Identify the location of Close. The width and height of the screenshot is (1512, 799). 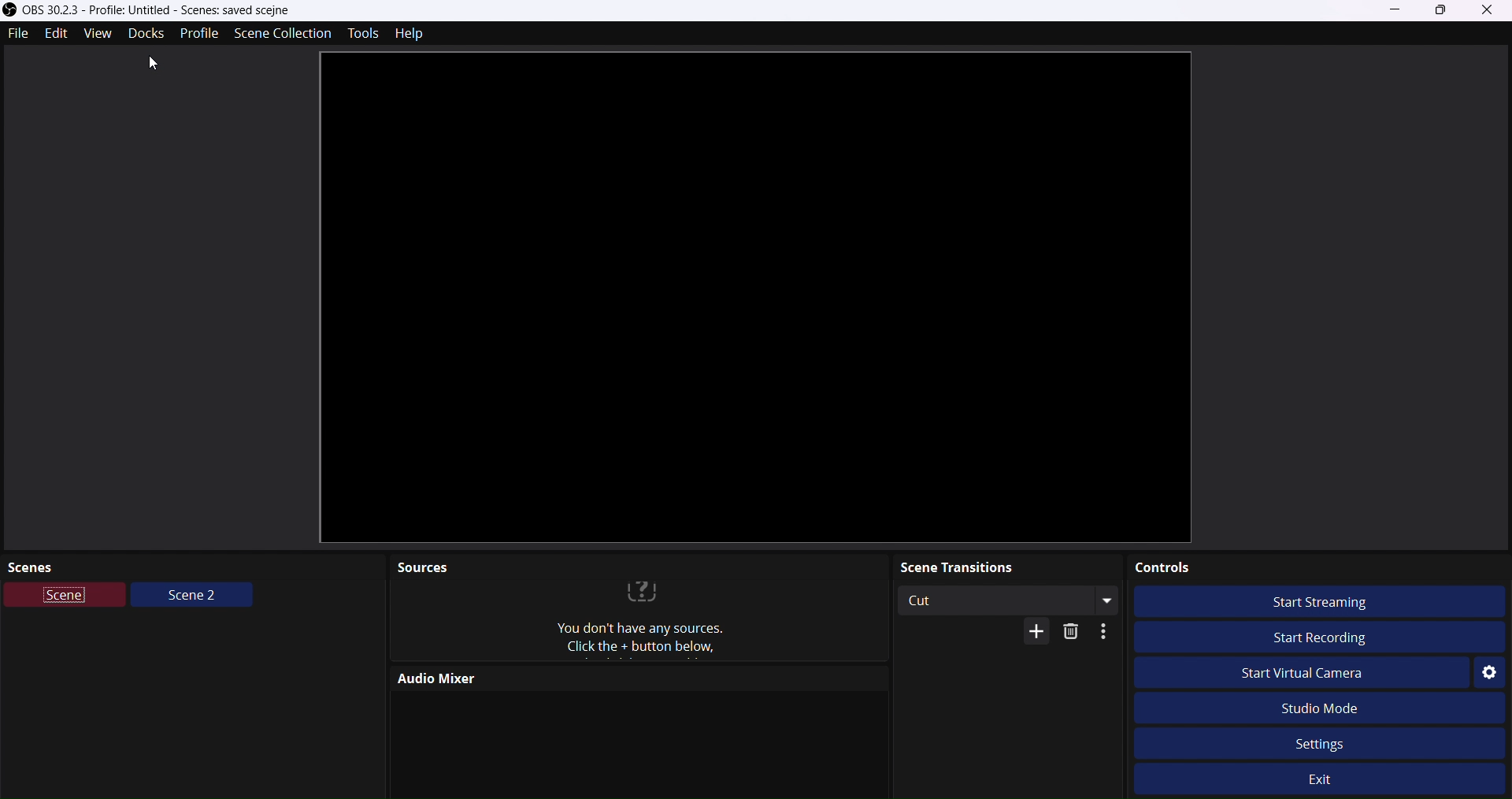
(1492, 11).